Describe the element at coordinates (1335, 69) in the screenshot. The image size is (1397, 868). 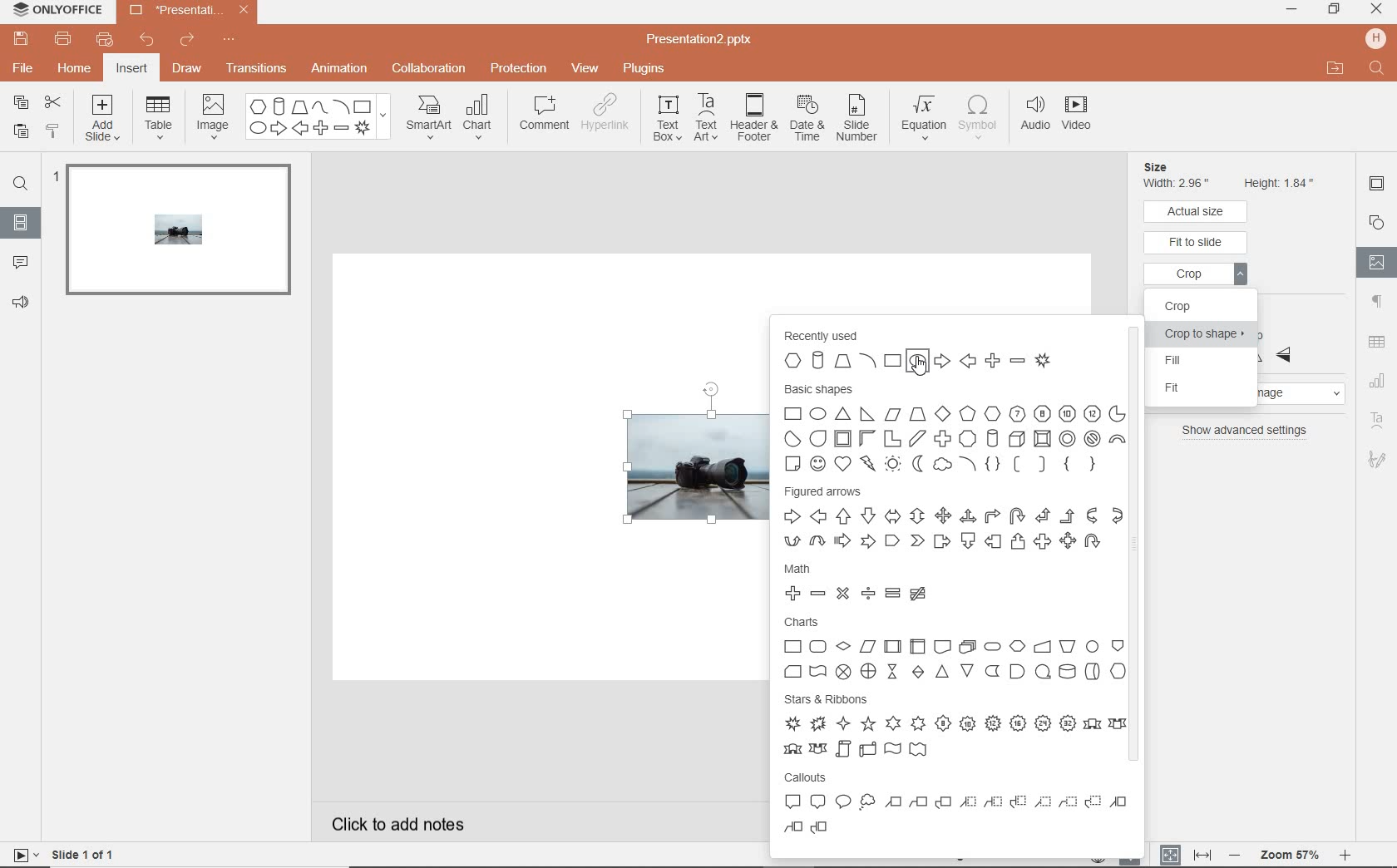
I see `open file location` at that location.